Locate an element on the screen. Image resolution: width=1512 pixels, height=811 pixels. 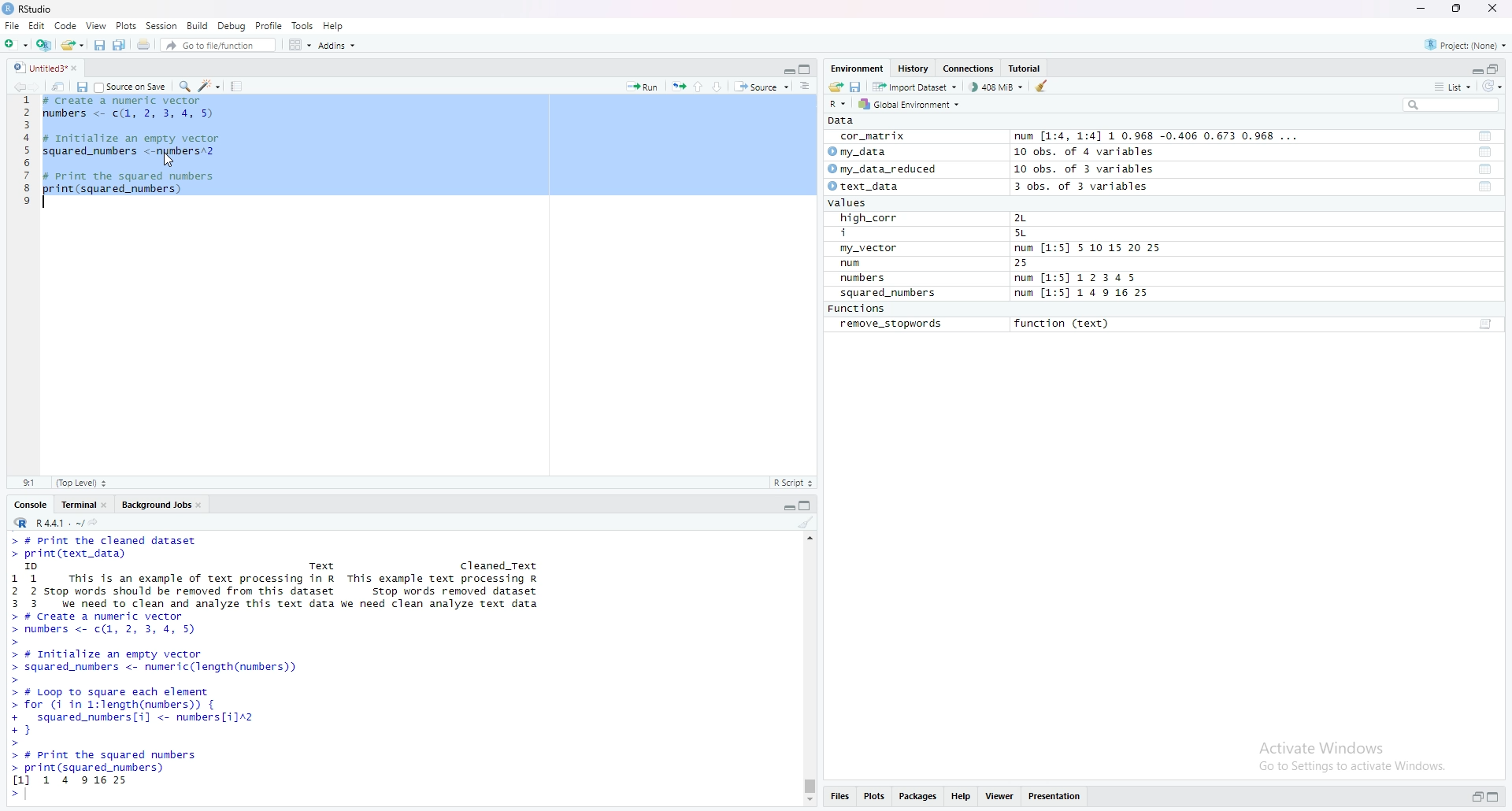
Environment is located at coordinates (857, 68).